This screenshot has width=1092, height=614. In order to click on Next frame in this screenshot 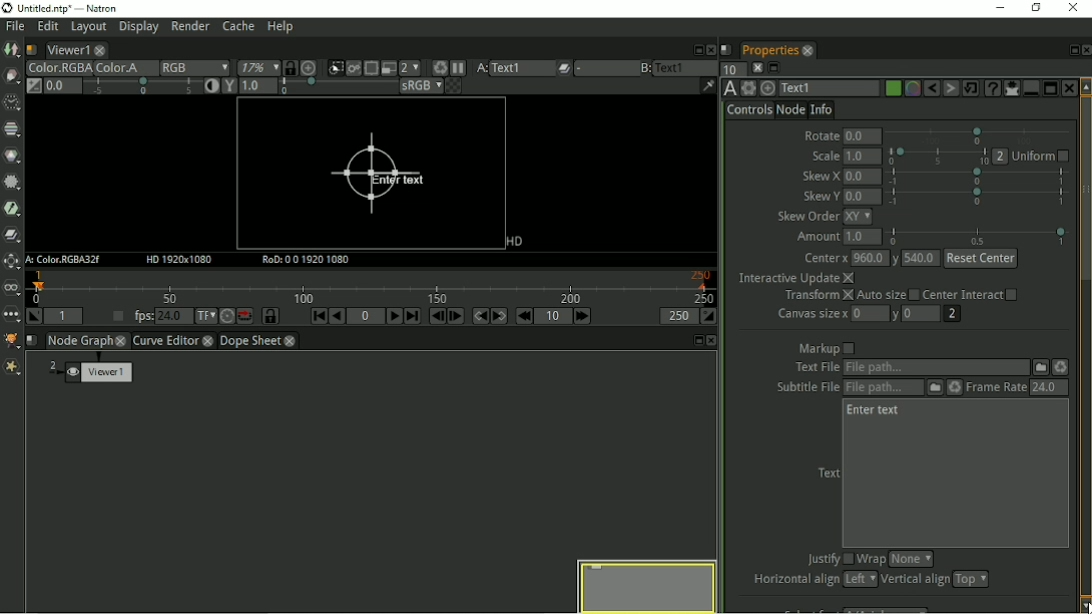, I will do `click(455, 316)`.